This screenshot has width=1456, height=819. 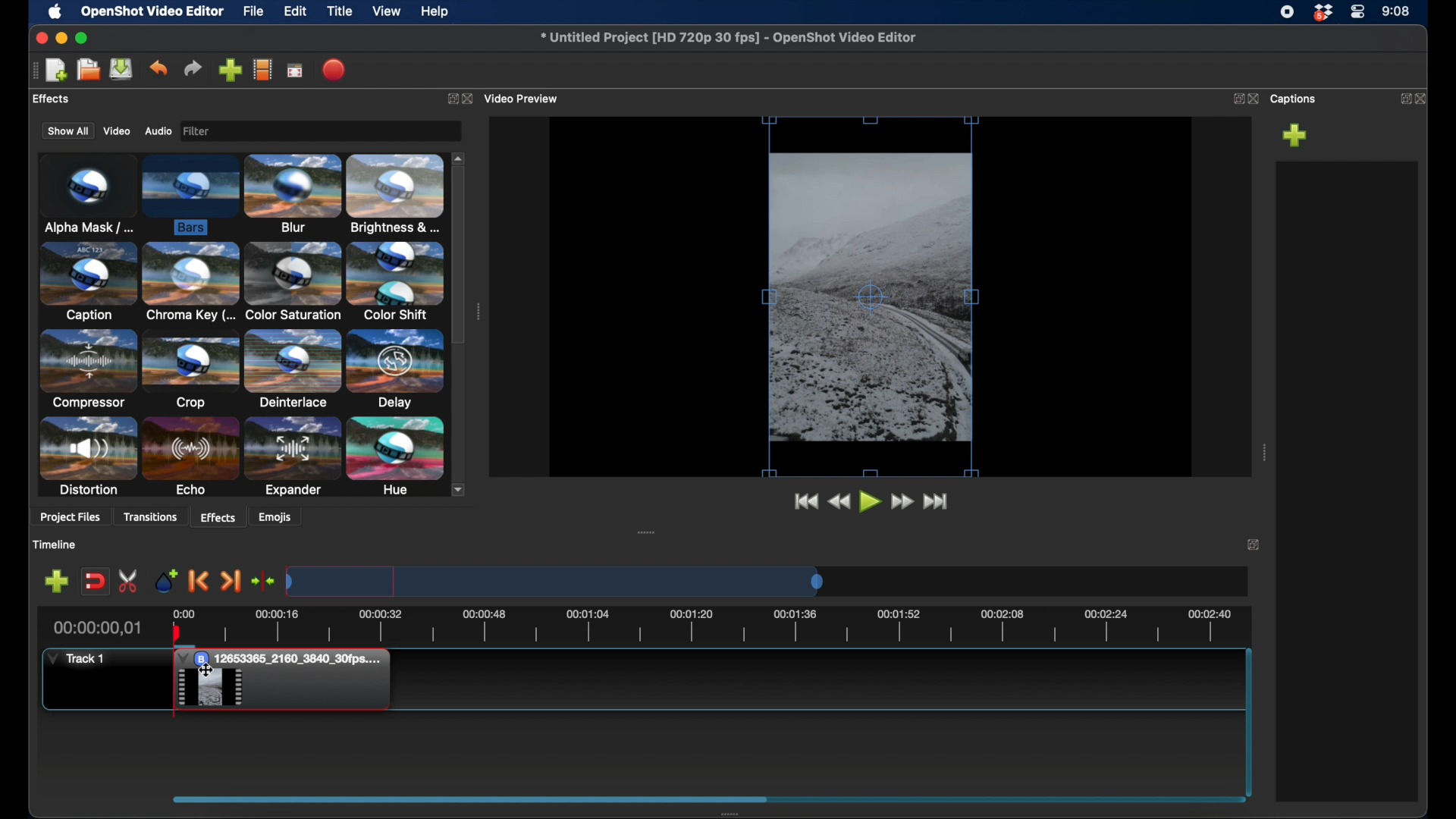 I want to click on cursor, so click(x=212, y=670).